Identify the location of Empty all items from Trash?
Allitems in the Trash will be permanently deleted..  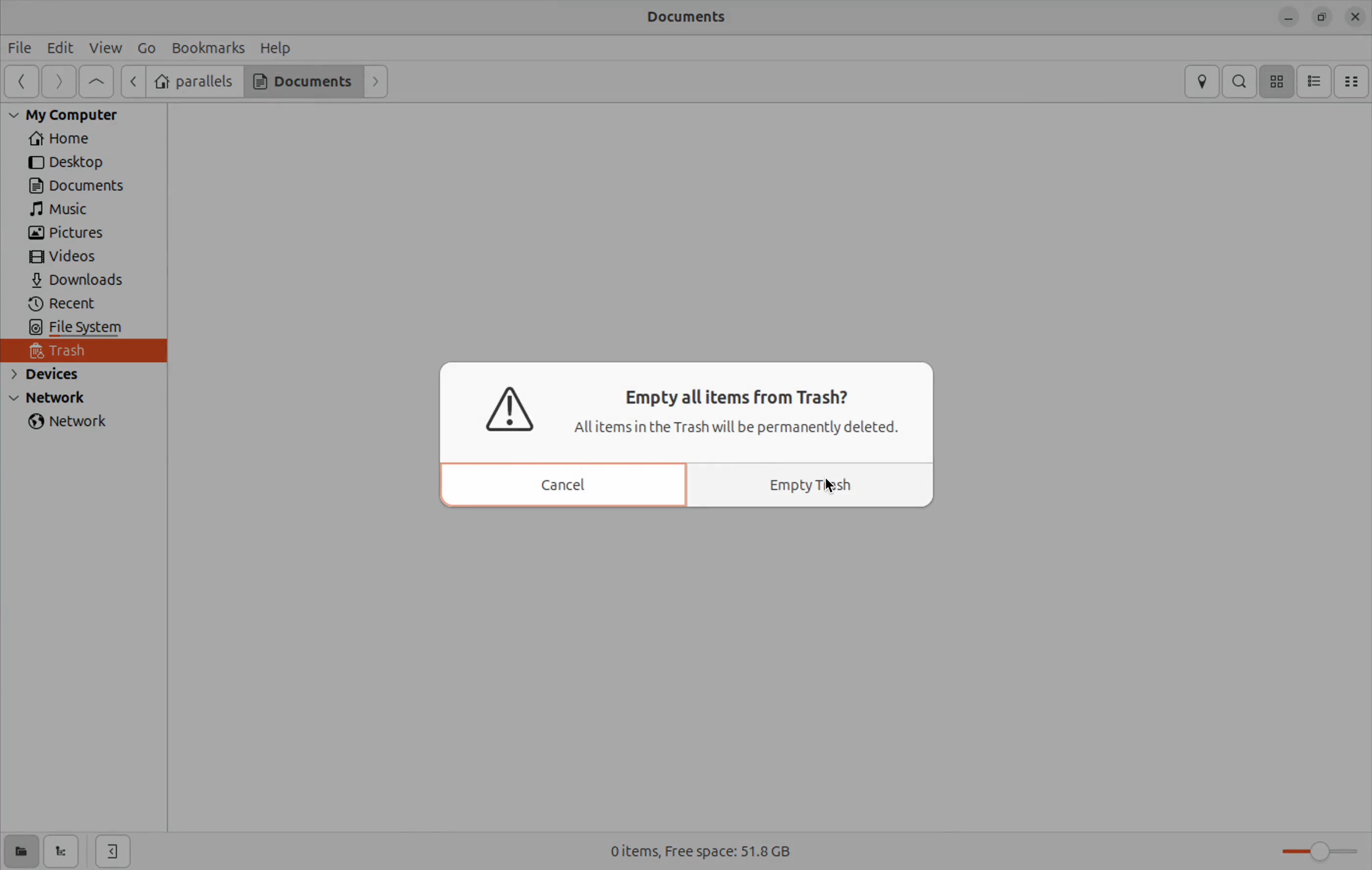
(746, 410).